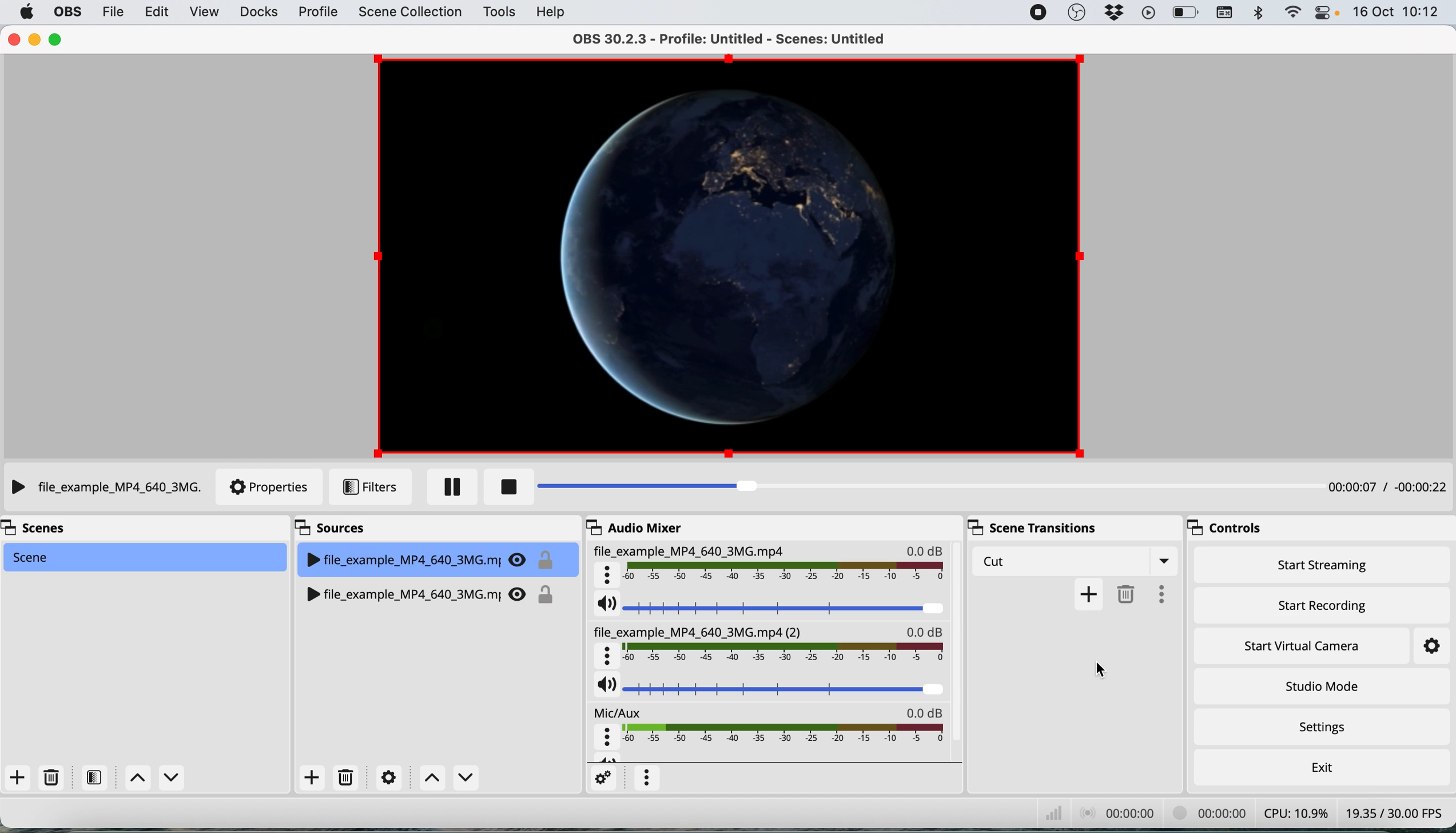 The image size is (1456, 833). What do you see at coordinates (110, 489) in the screenshot?
I see `File_example_MP4_640_3MG.` at bounding box center [110, 489].